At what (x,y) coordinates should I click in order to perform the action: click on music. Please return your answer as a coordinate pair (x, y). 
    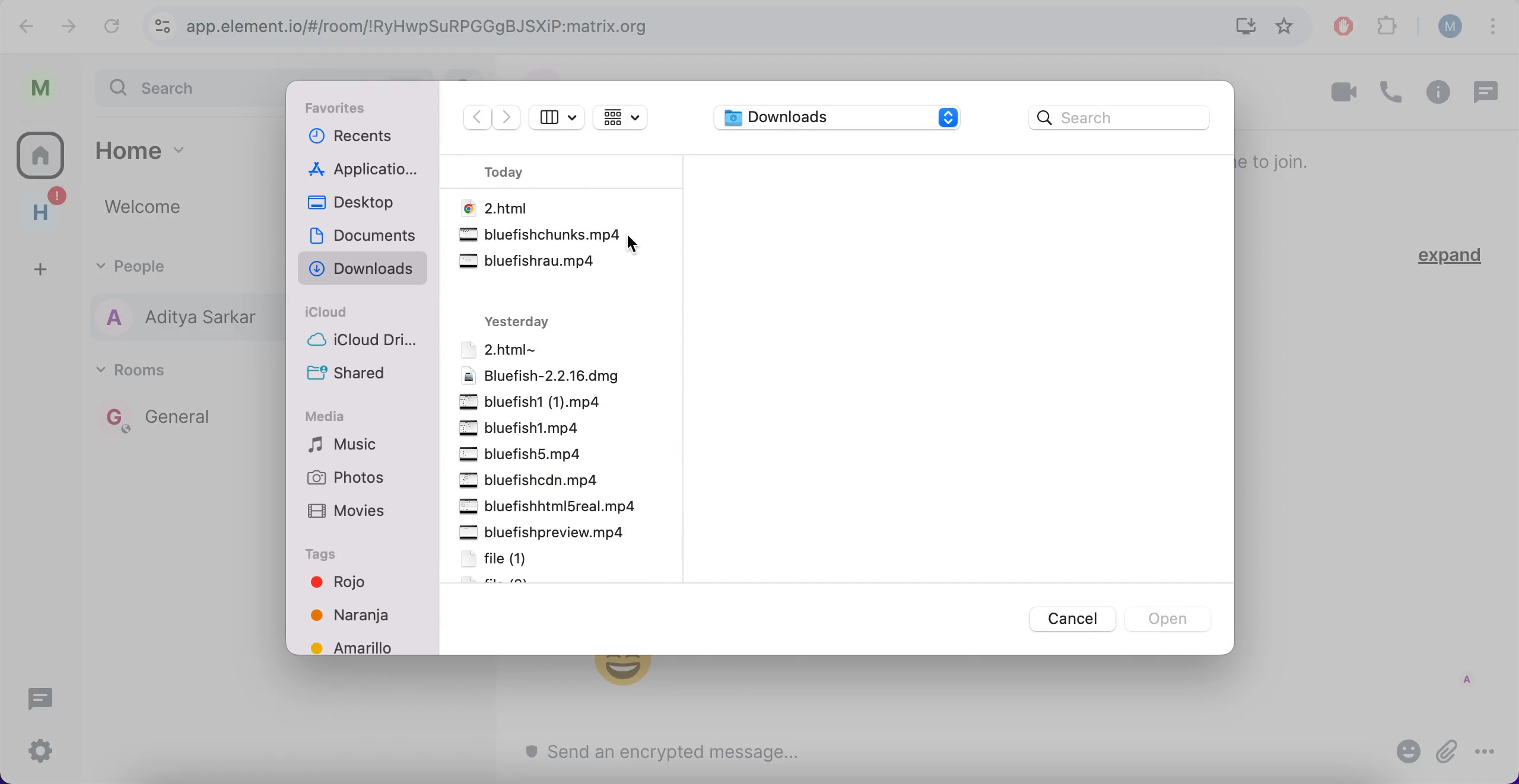
    Looking at the image, I should click on (343, 447).